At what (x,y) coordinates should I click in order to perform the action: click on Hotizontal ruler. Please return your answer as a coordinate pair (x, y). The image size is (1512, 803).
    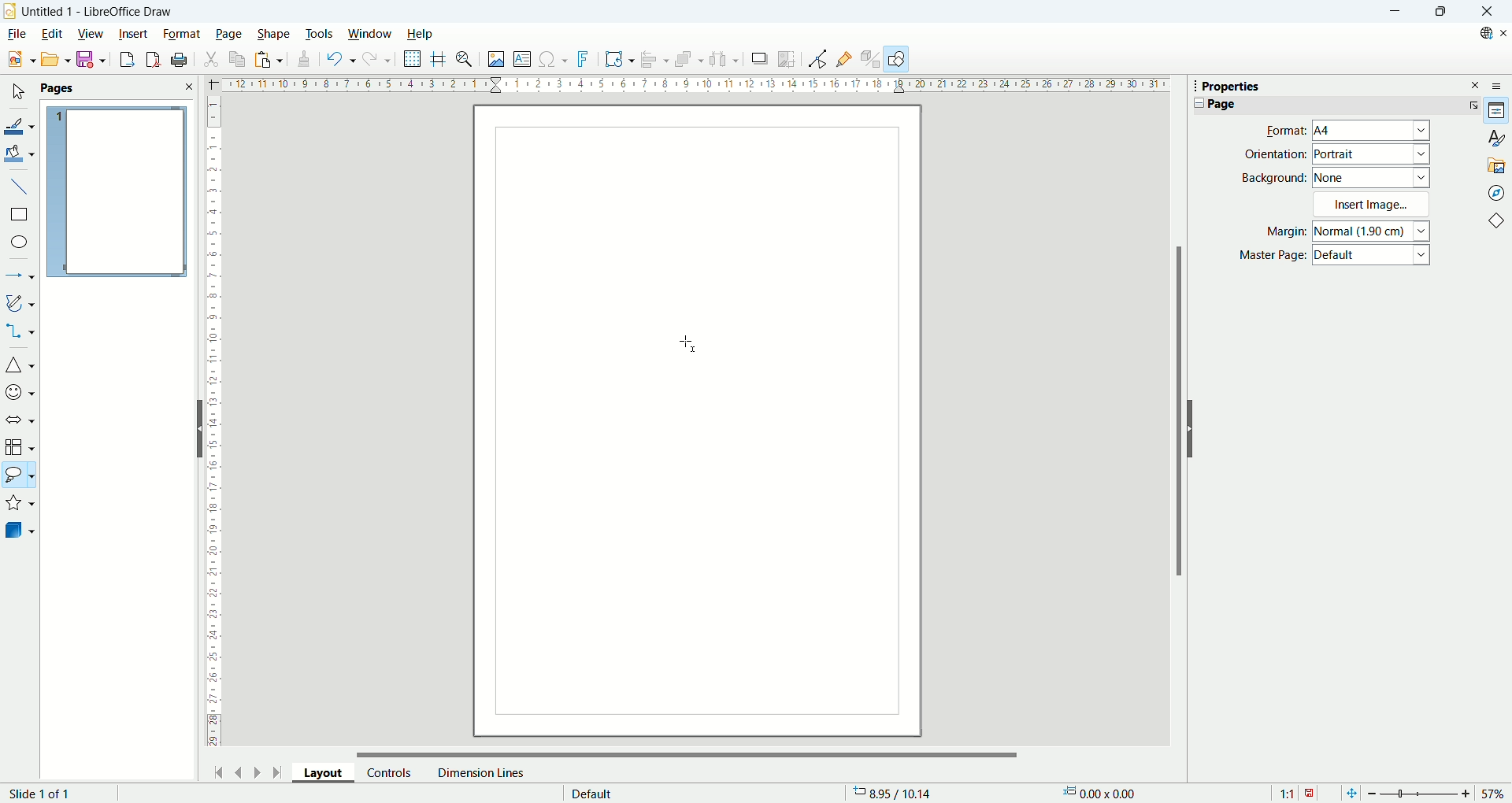
    Looking at the image, I should click on (695, 87).